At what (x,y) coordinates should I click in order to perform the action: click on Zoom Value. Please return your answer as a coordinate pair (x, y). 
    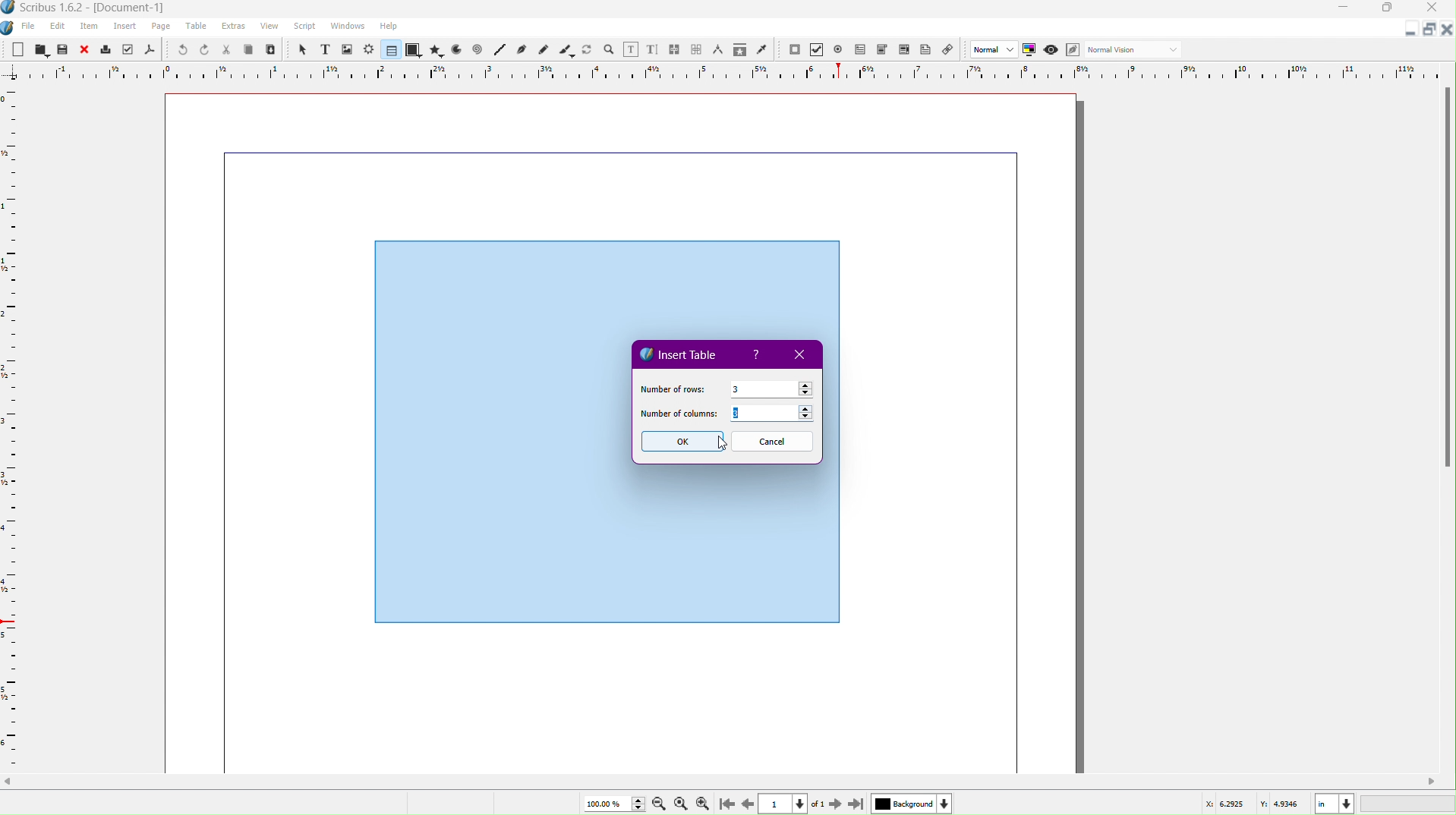
    Looking at the image, I should click on (611, 802).